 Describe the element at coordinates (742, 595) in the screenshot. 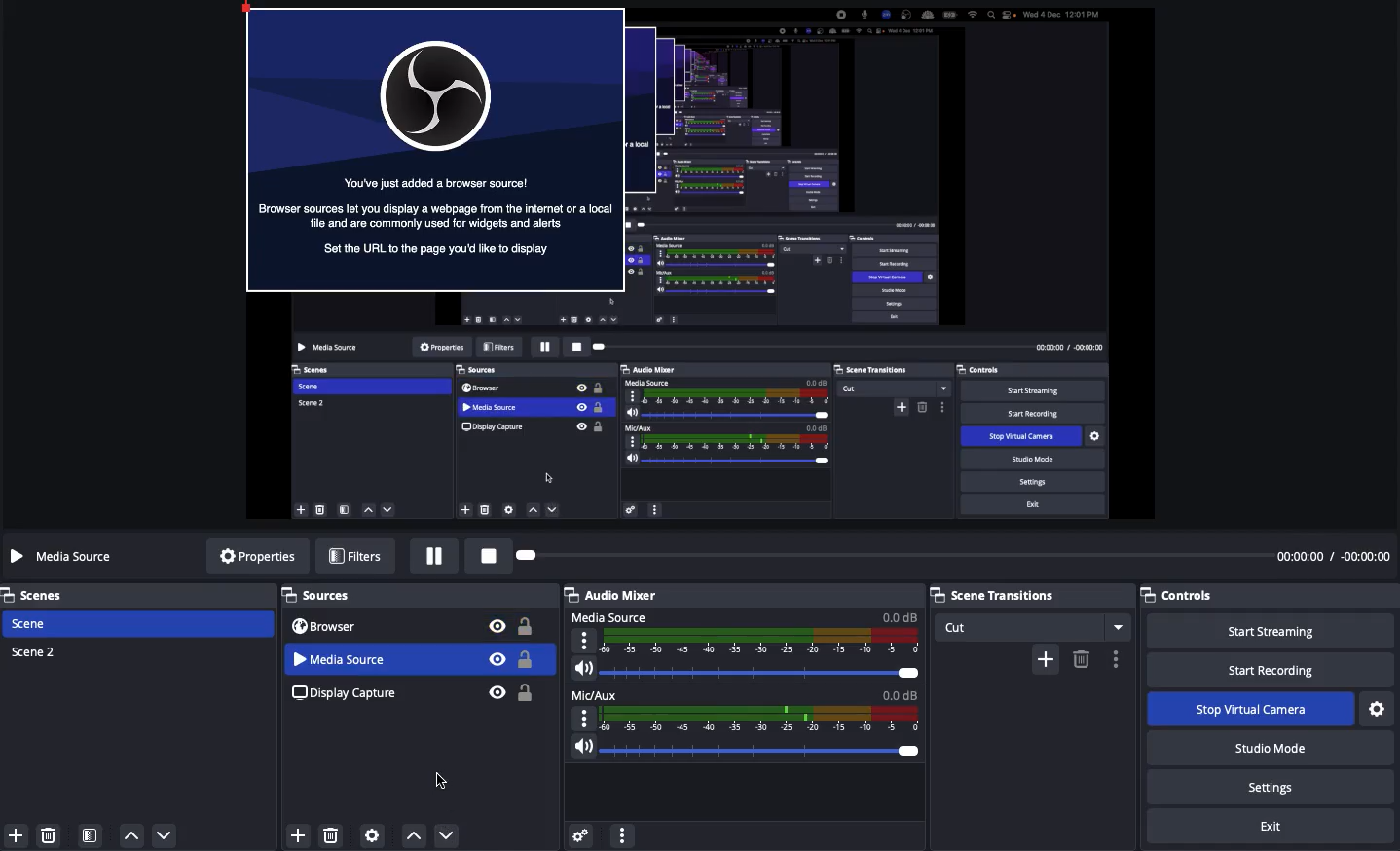

I see `Audio mixer` at that location.